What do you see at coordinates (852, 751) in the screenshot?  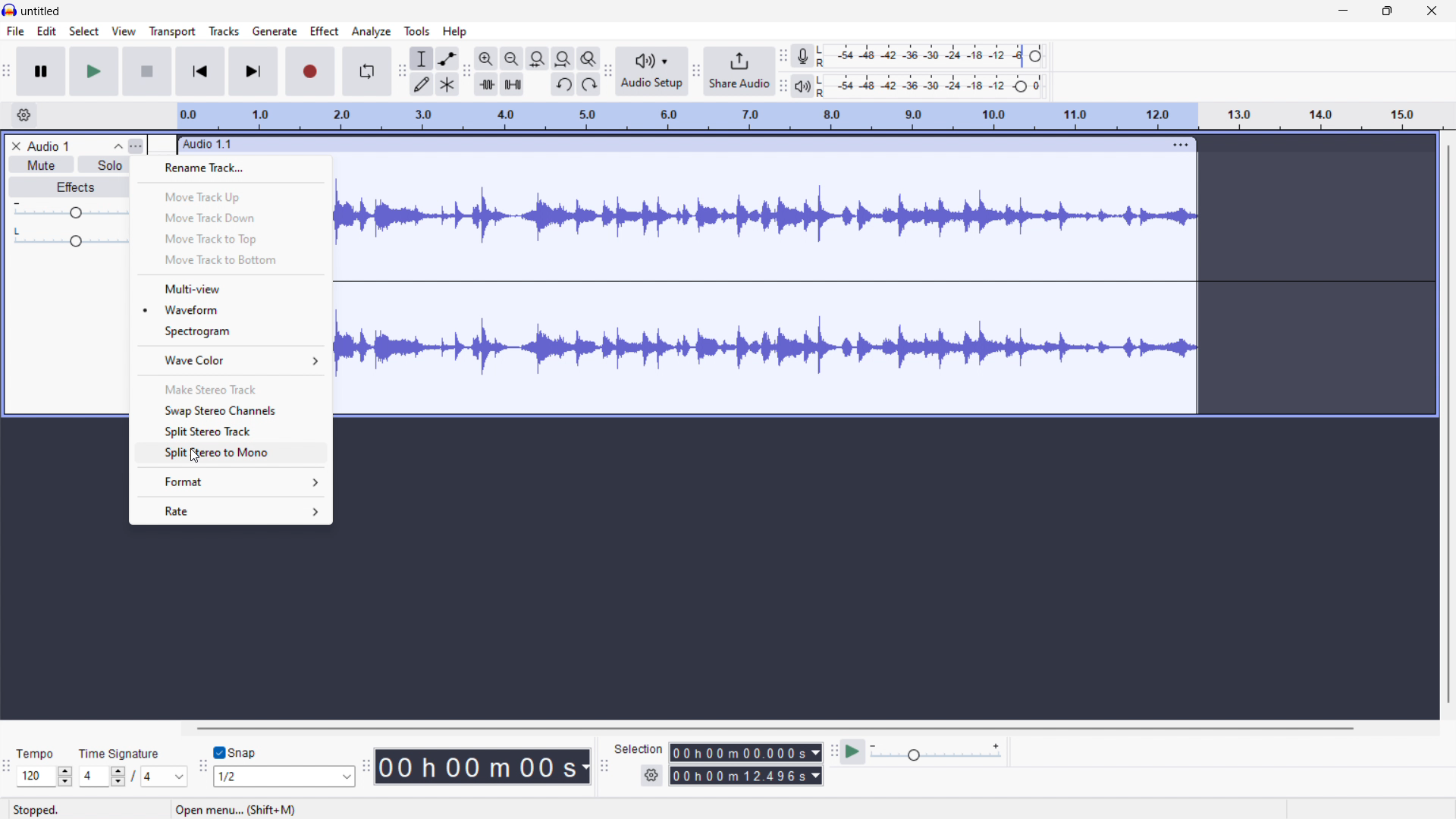 I see `play at speed ` at bounding box center [852, 751].